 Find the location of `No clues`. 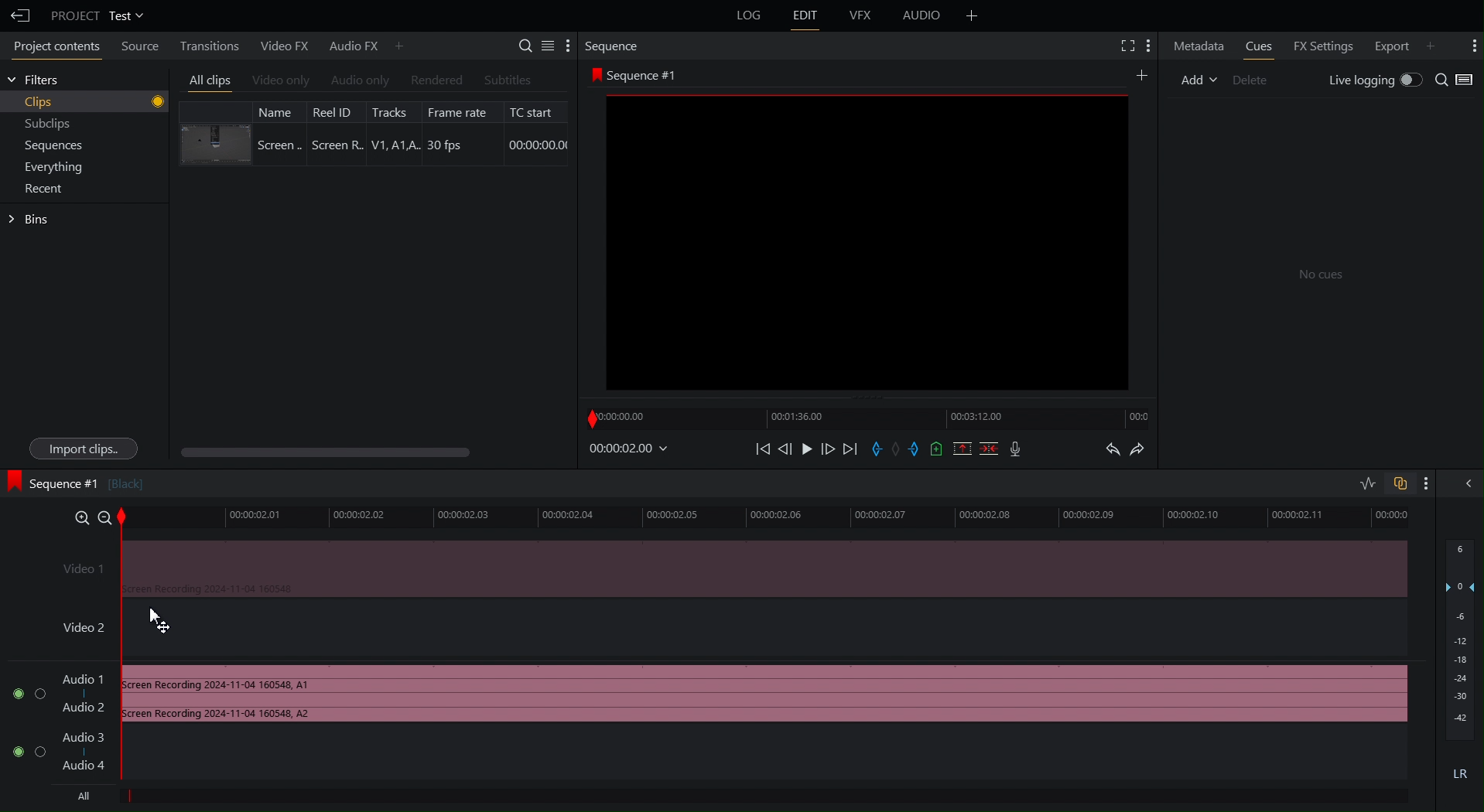

No clues is located at coordinates (1324, 274).